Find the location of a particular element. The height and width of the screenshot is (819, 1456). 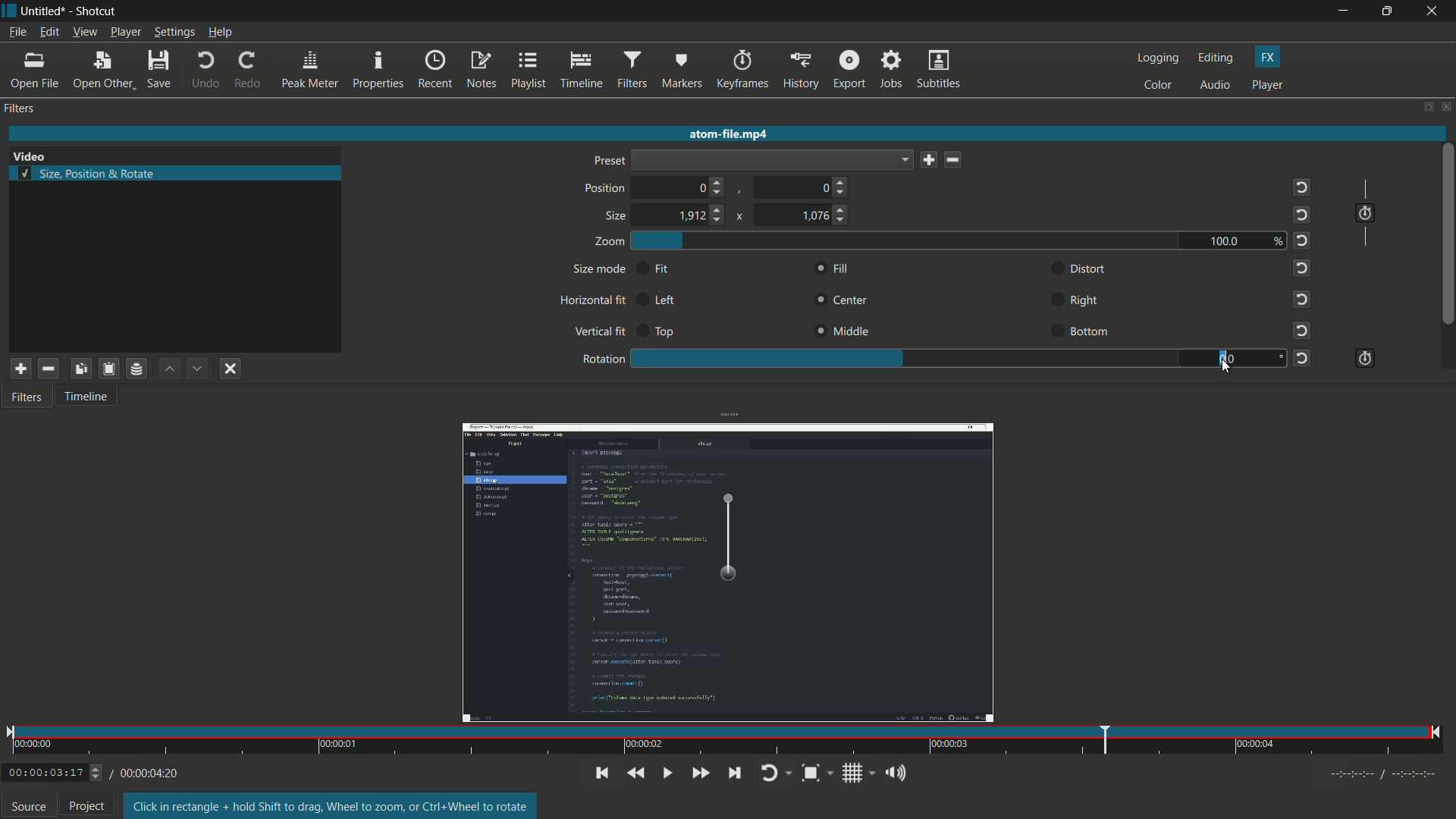

edit menu is located at coordinates (47, 34).